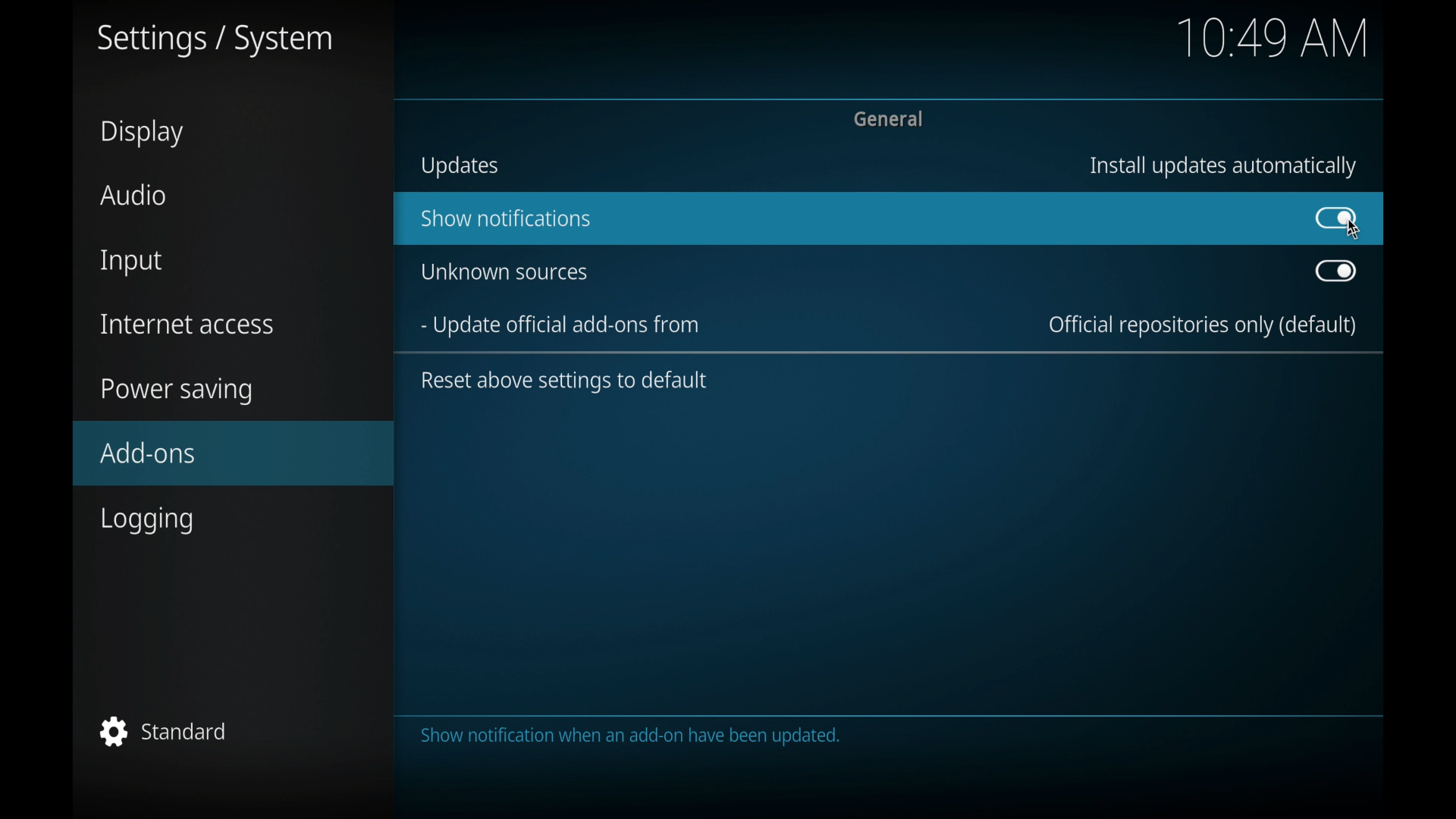  I want to click on the category contains settings for the  add on. system , so click(628, 736).